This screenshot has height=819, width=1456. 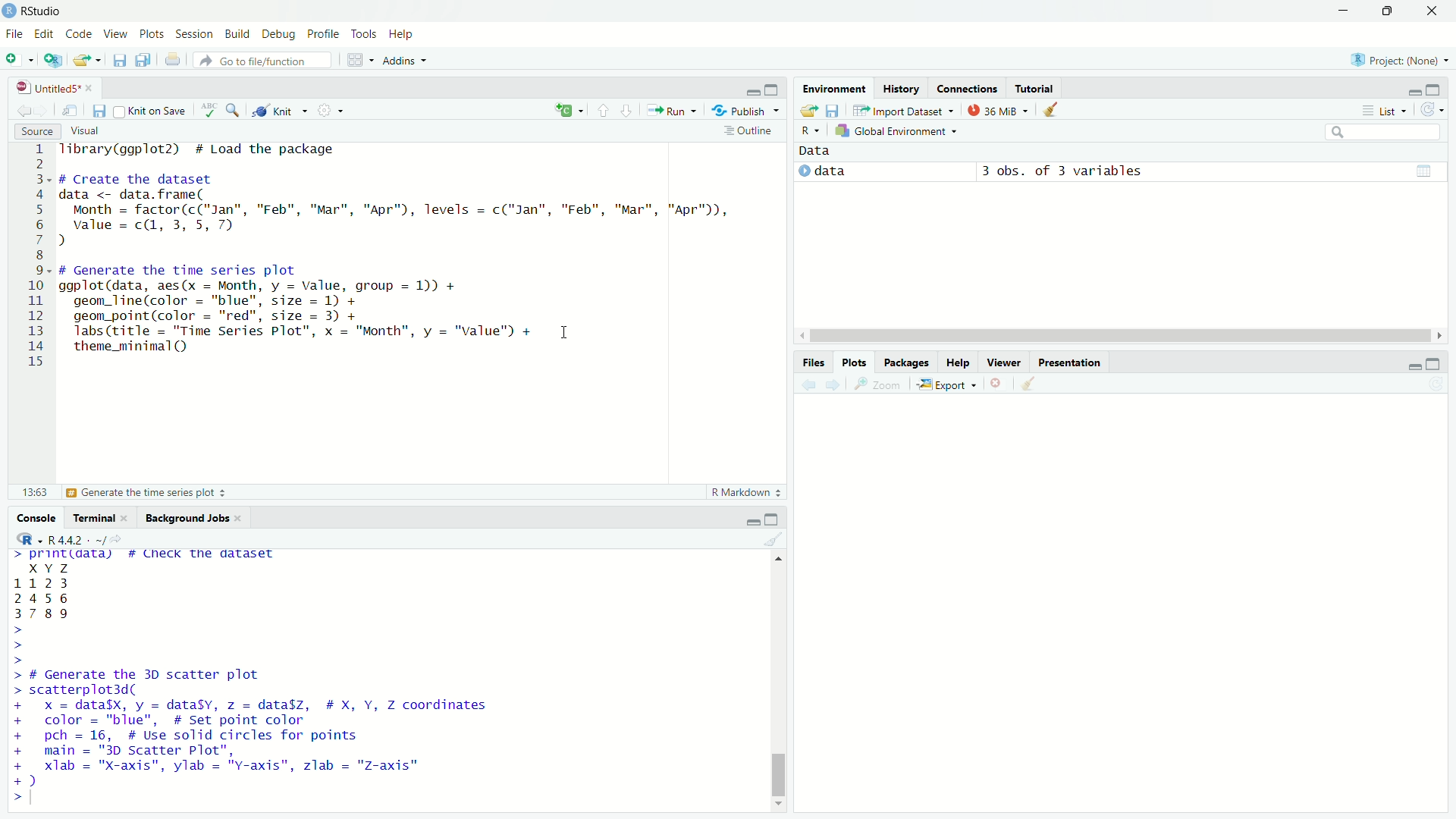 What do you see at coordinates (322, 35) in the screenshot?
I see `Profile` at bounding box center [322, 35].